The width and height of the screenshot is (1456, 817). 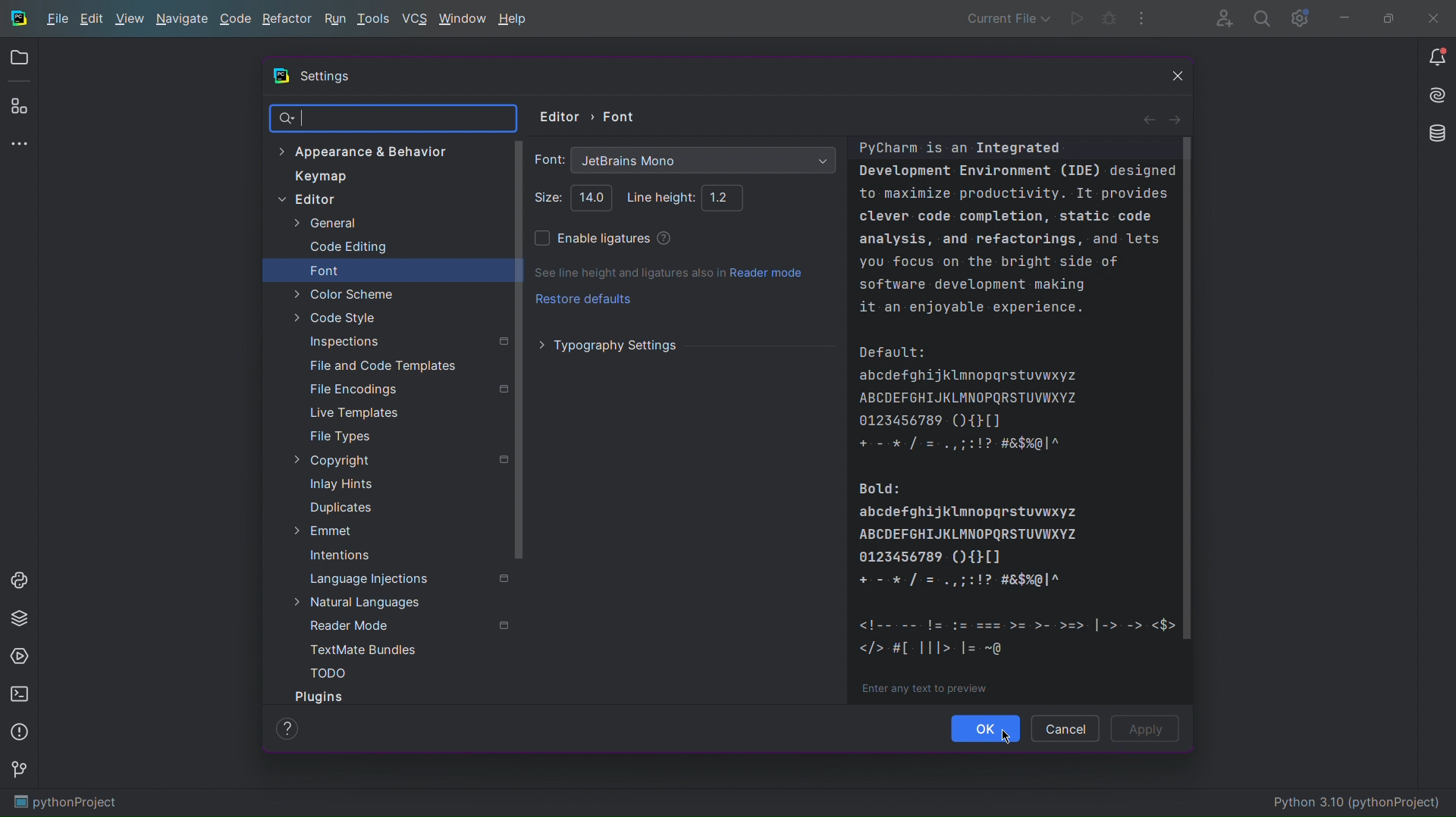 I want to click on Code Style, so click(x=337, y=315).